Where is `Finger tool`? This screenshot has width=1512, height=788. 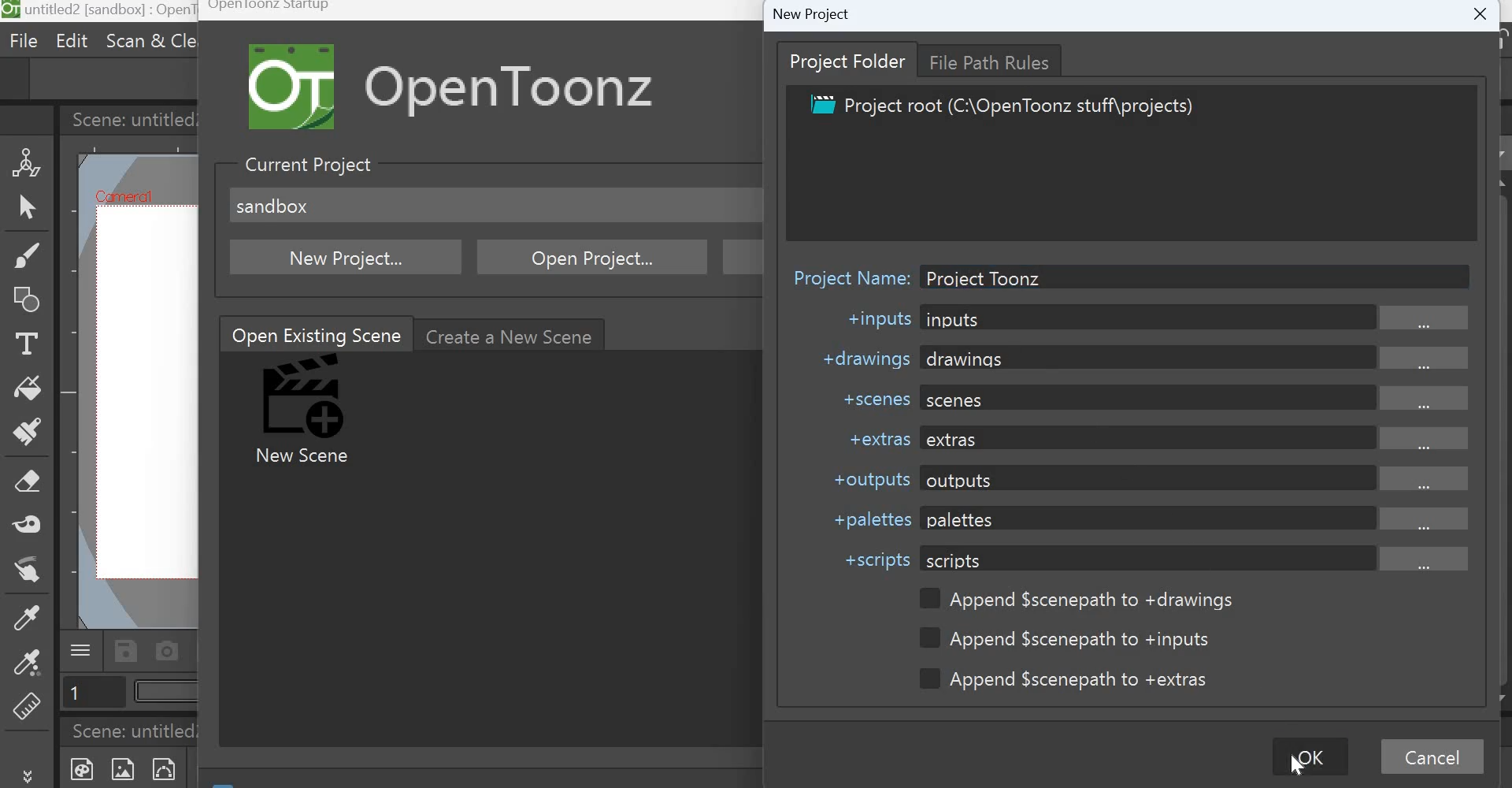
Finger tool is located at coordinates (33, 575).